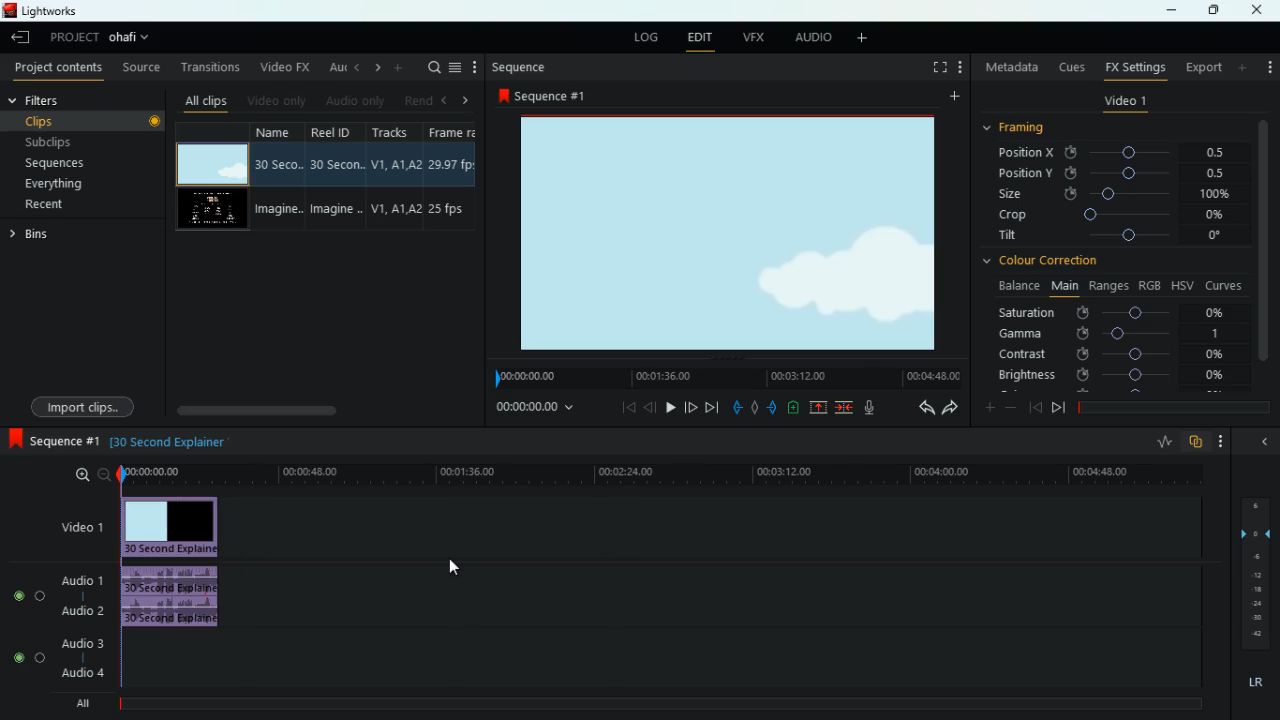 This screenshot has height=720, width=1280. What do you see at coordinates (477, 66) in the screenshot?
I see `more` at bounding box center [477, 66].